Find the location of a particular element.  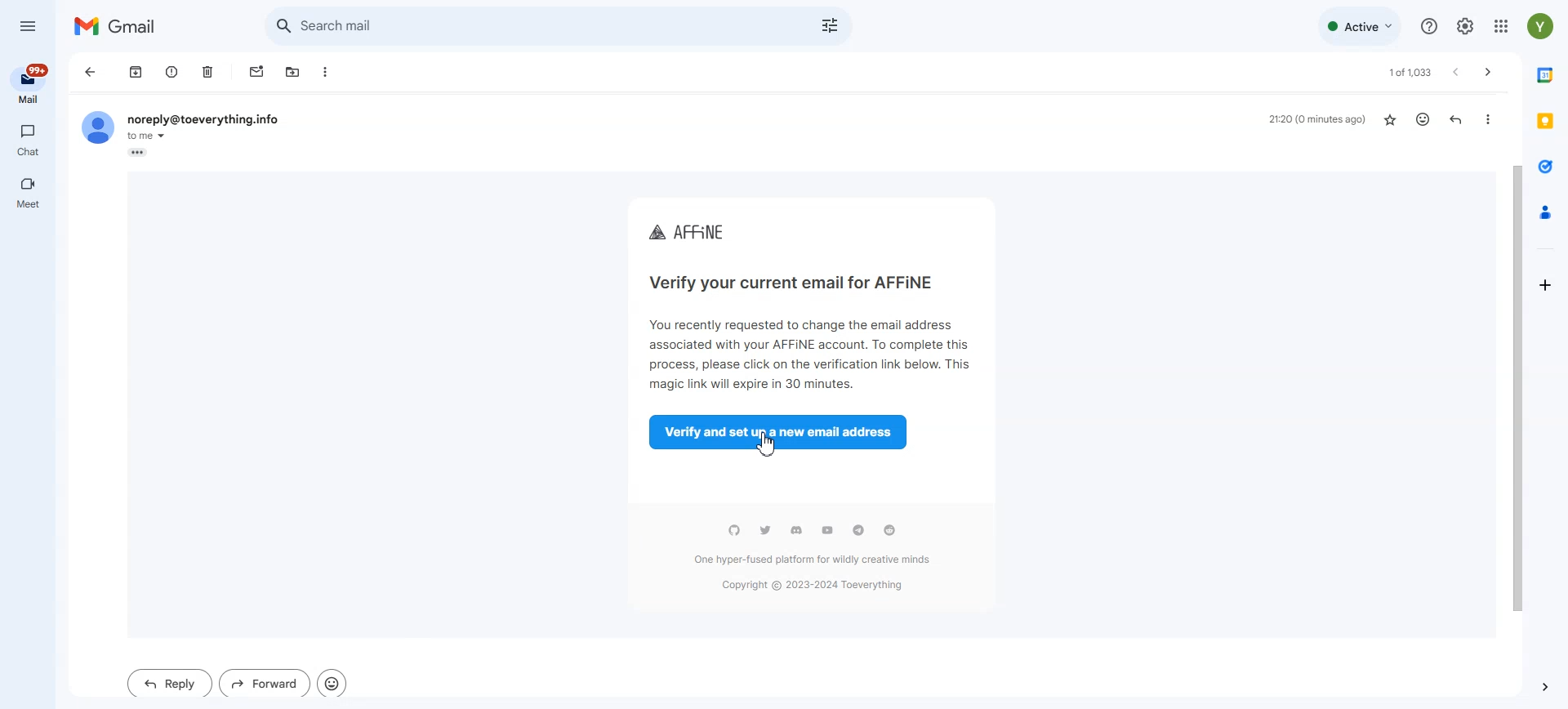

Get add-on is located at coordinates (1546, 288).